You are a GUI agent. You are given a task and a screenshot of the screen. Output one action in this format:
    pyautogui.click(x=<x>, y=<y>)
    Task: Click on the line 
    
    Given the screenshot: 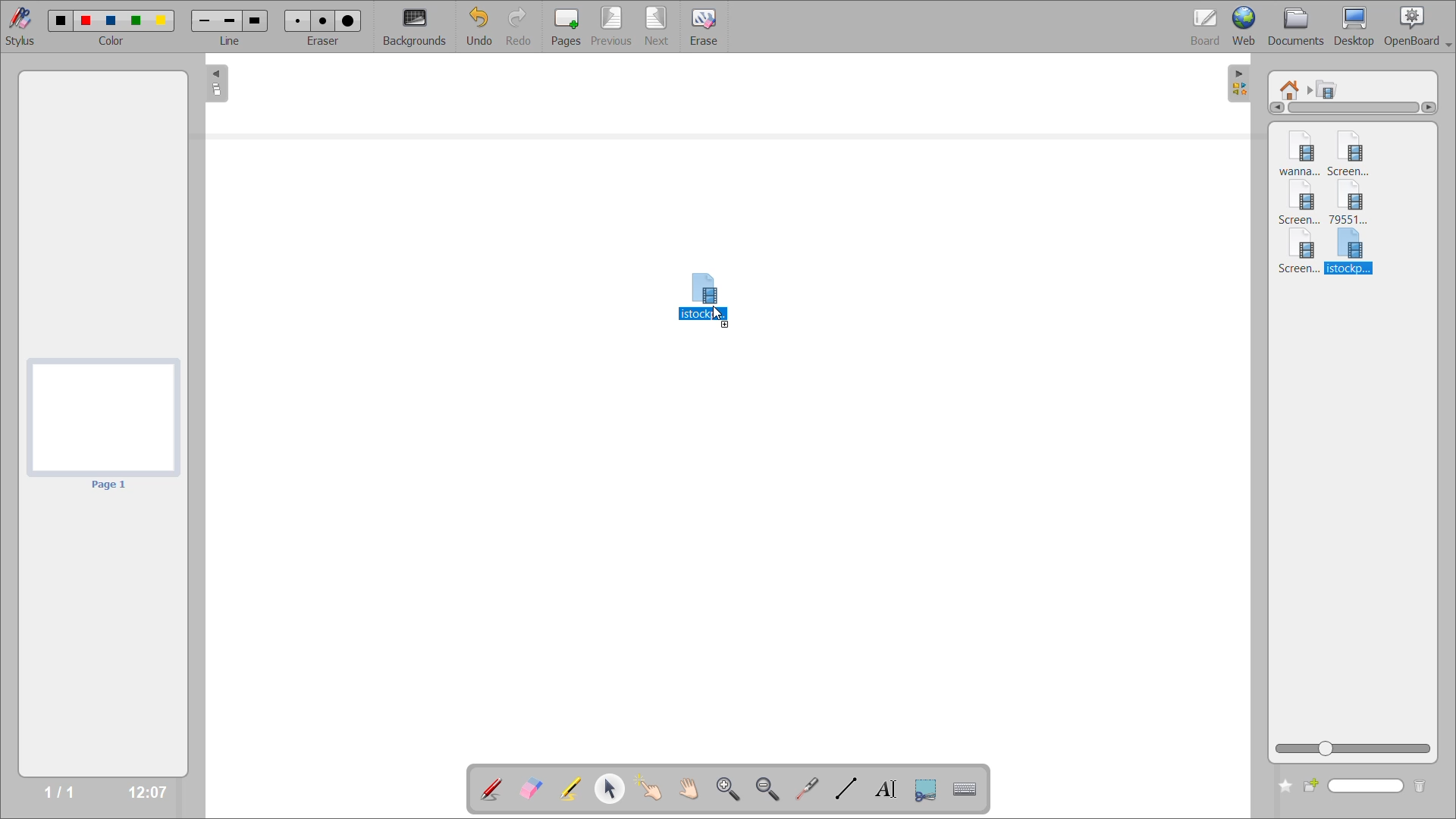 What is the action you would take?
    pyautogui.click(x=230, y=42)
    